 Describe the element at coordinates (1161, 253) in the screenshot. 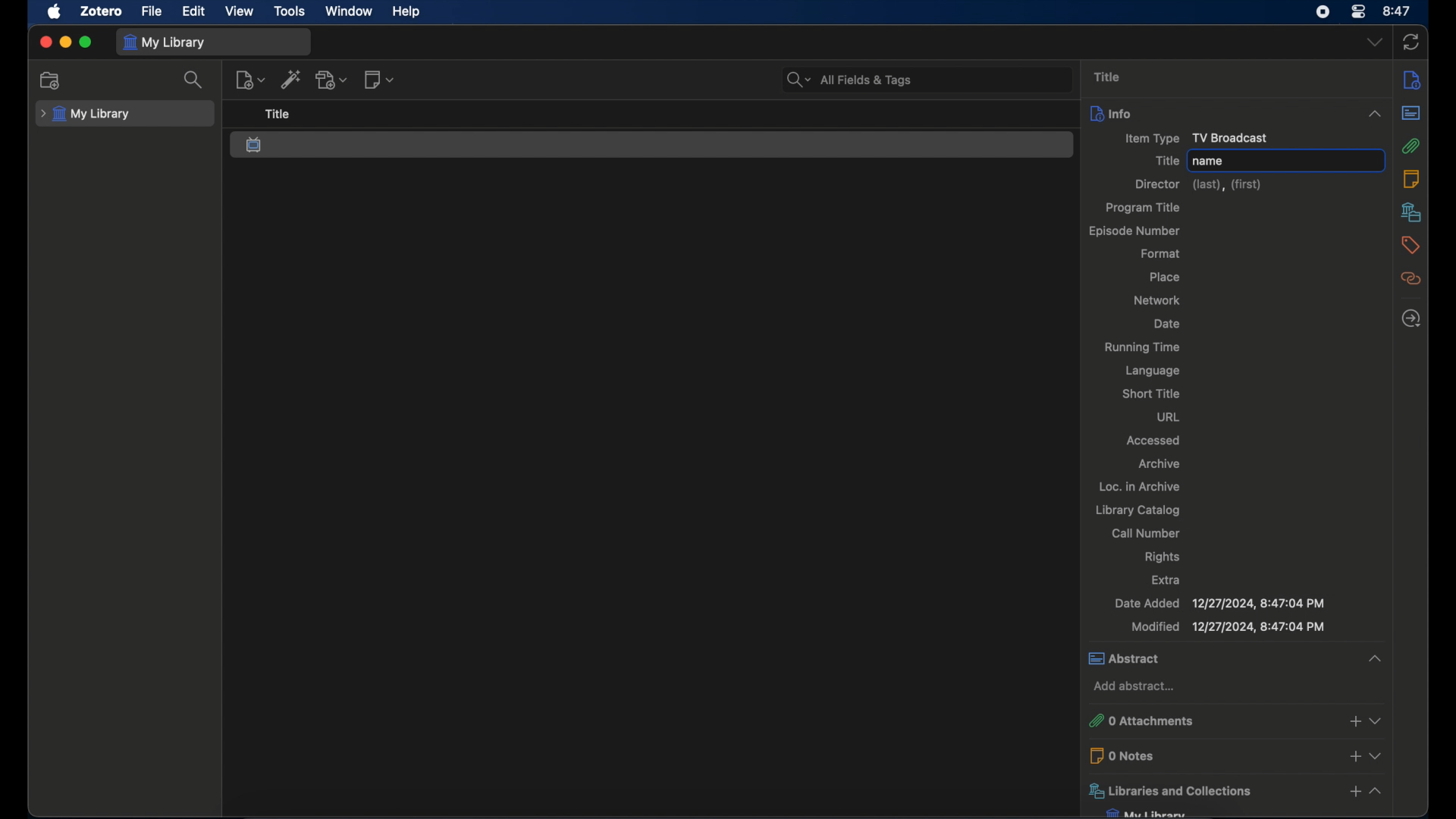

I see `format` at that location.